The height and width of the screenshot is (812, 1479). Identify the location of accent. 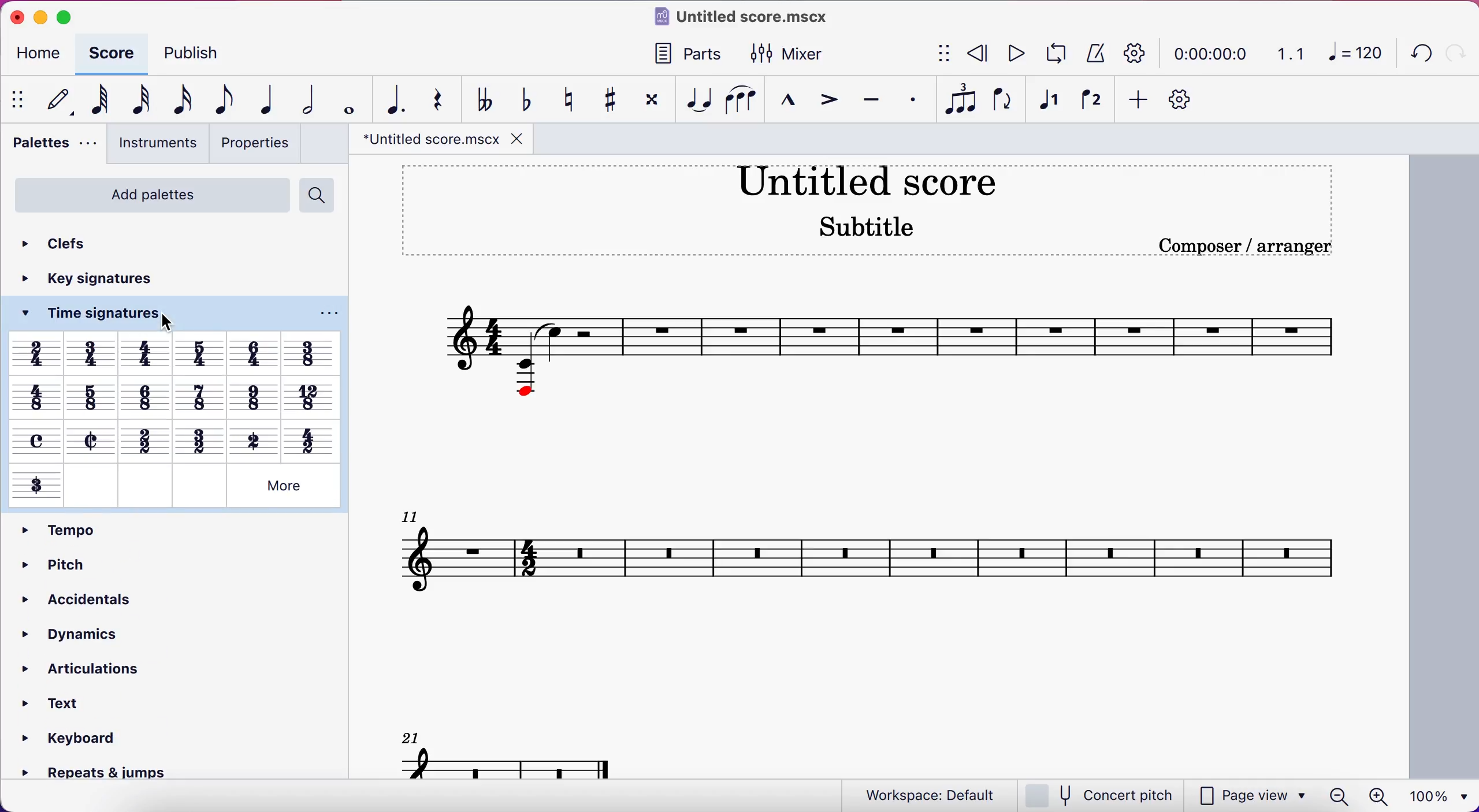
(824, 100).